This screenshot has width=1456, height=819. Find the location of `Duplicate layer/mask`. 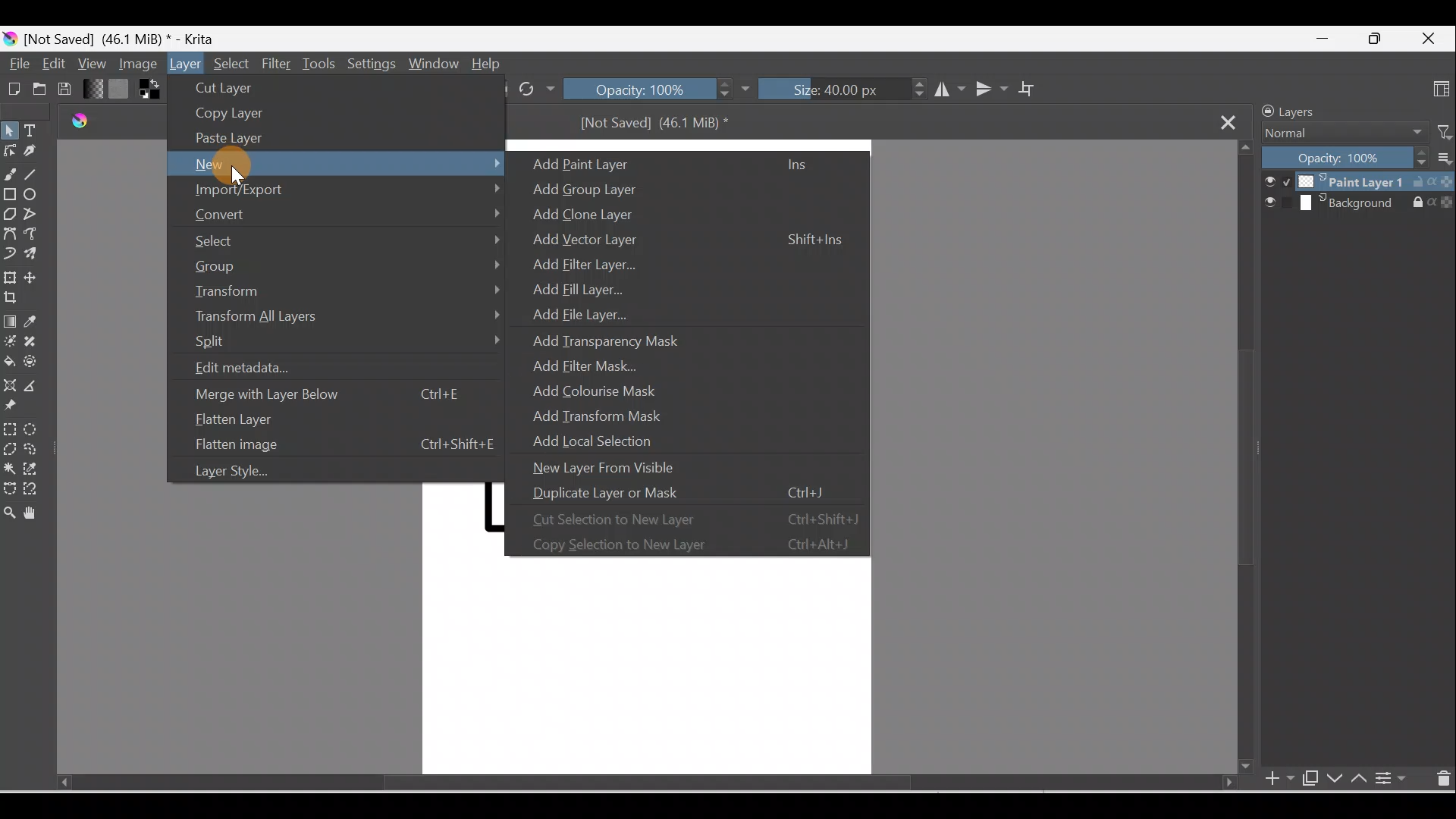

Duplicate layer/mask is located at coordinates (1307, 777).